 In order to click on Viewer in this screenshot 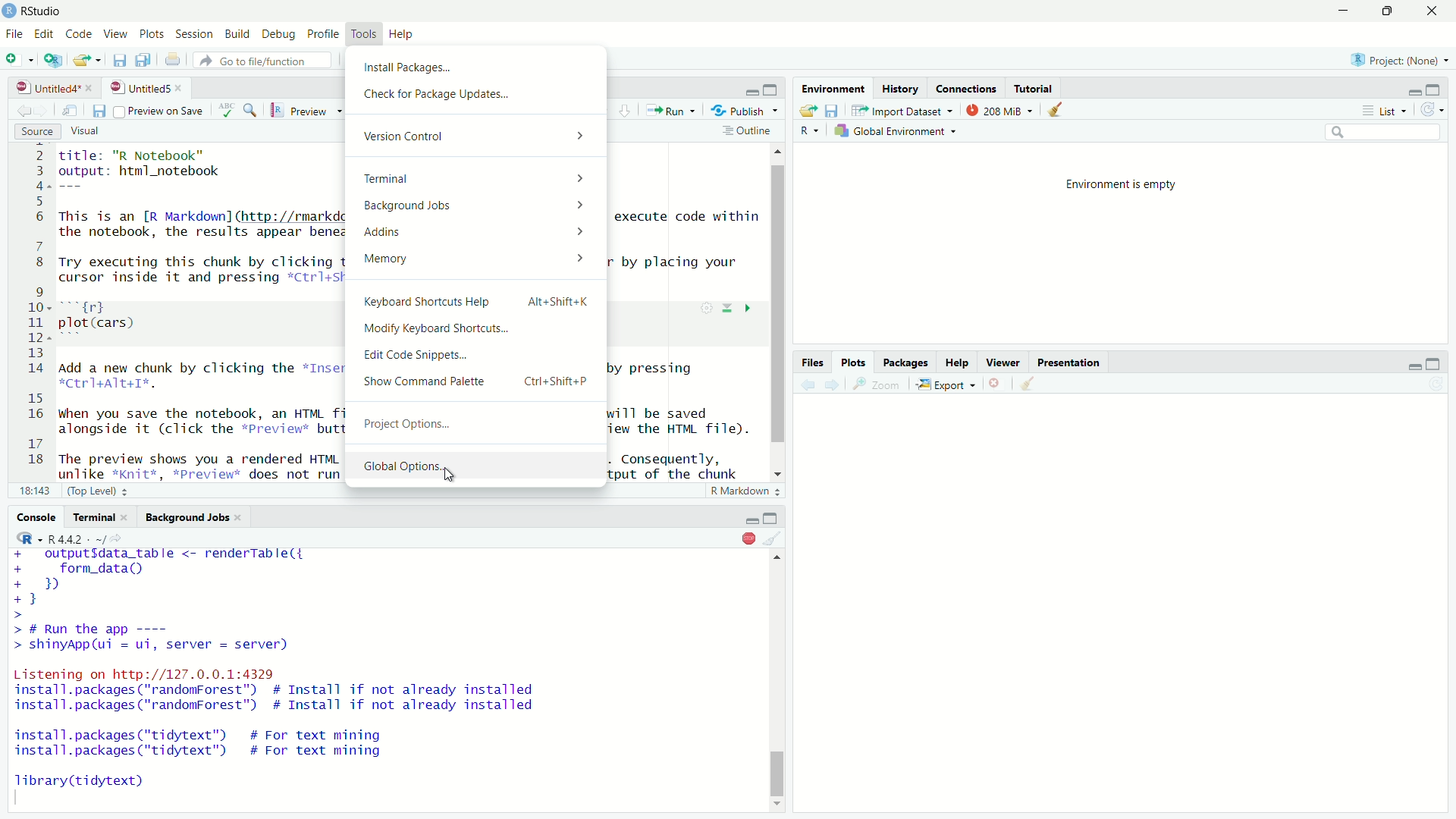, I will do `click(1008, 364)`.